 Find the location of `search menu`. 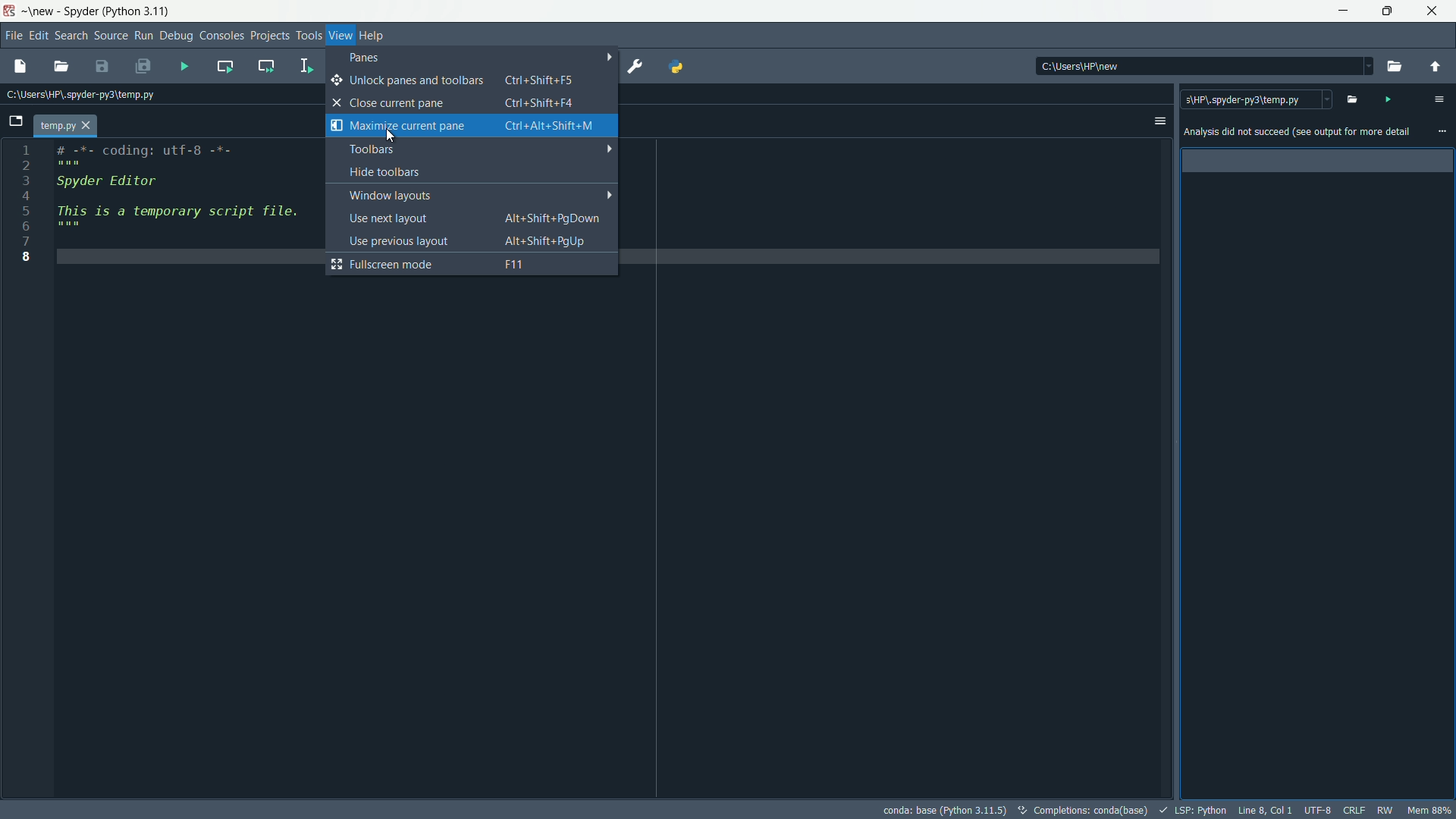

search menu is located at coordinates (69, 36).